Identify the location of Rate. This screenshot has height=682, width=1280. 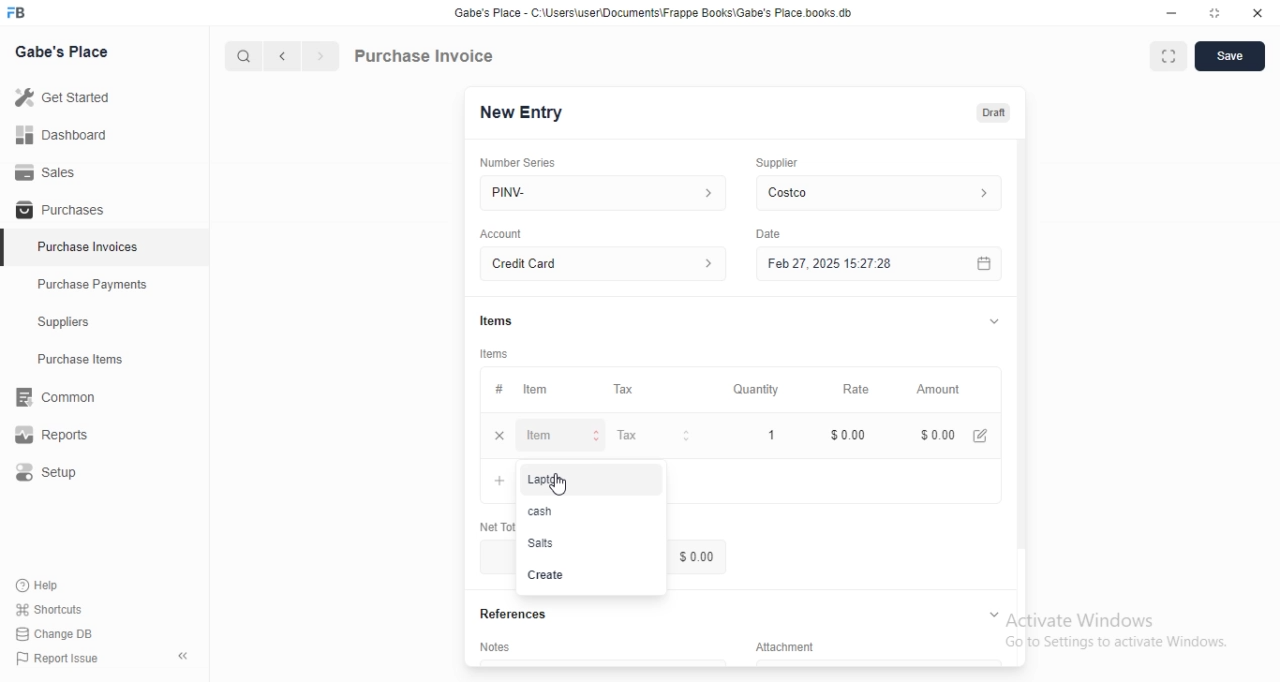
(841, 389).